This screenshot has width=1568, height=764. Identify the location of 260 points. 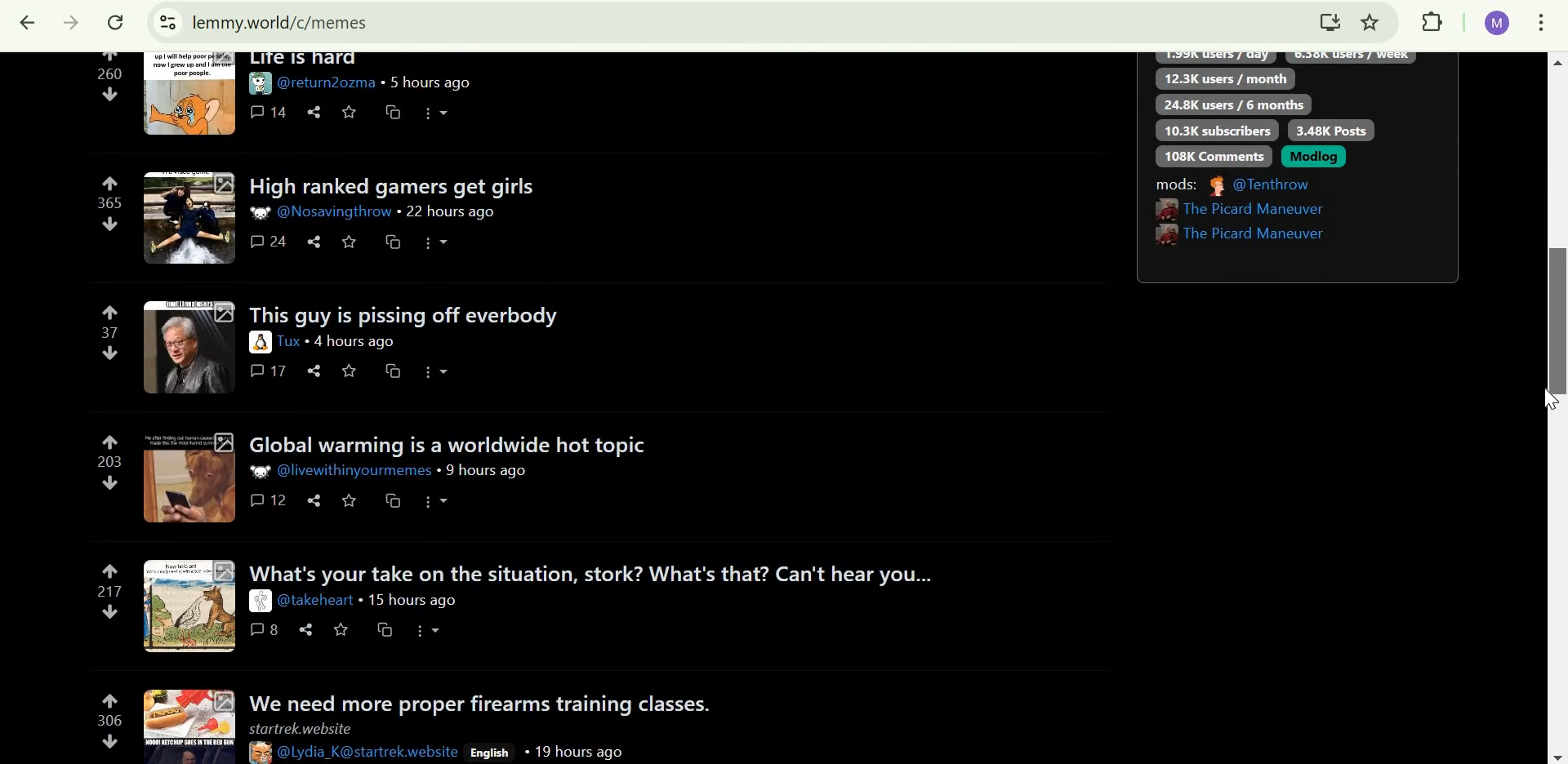
(109, 73).